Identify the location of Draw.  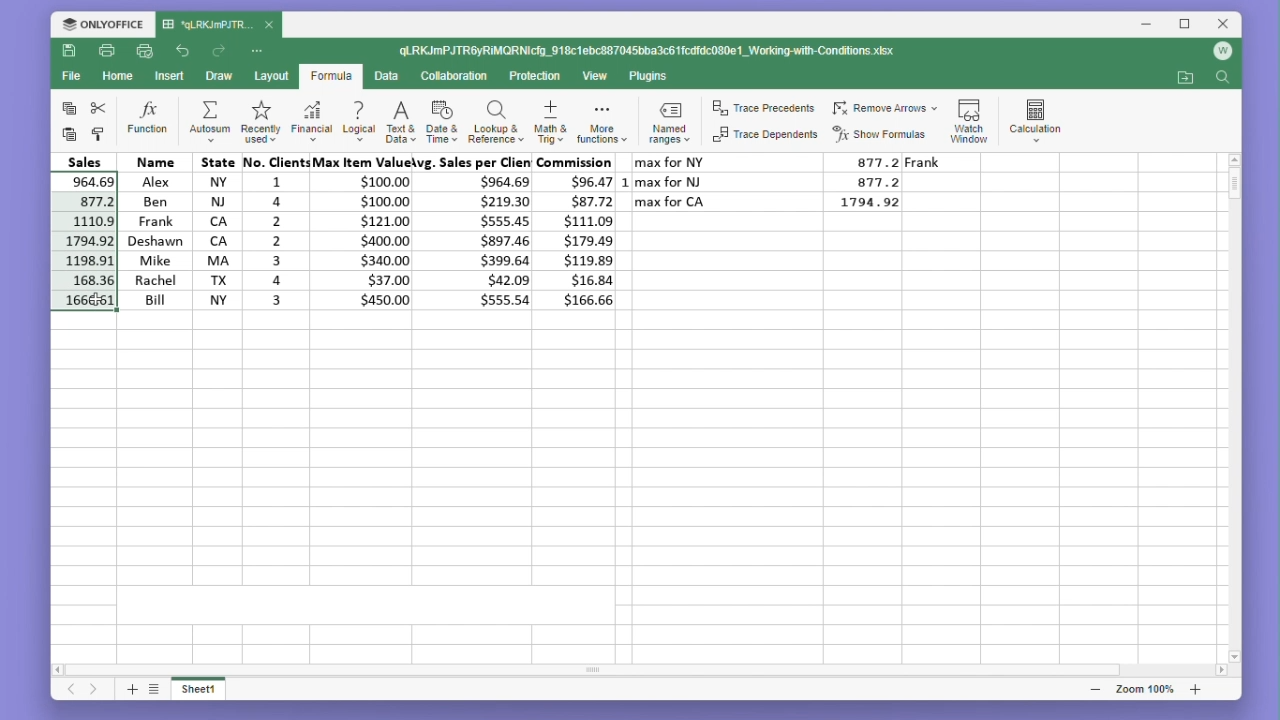
(218, 76).